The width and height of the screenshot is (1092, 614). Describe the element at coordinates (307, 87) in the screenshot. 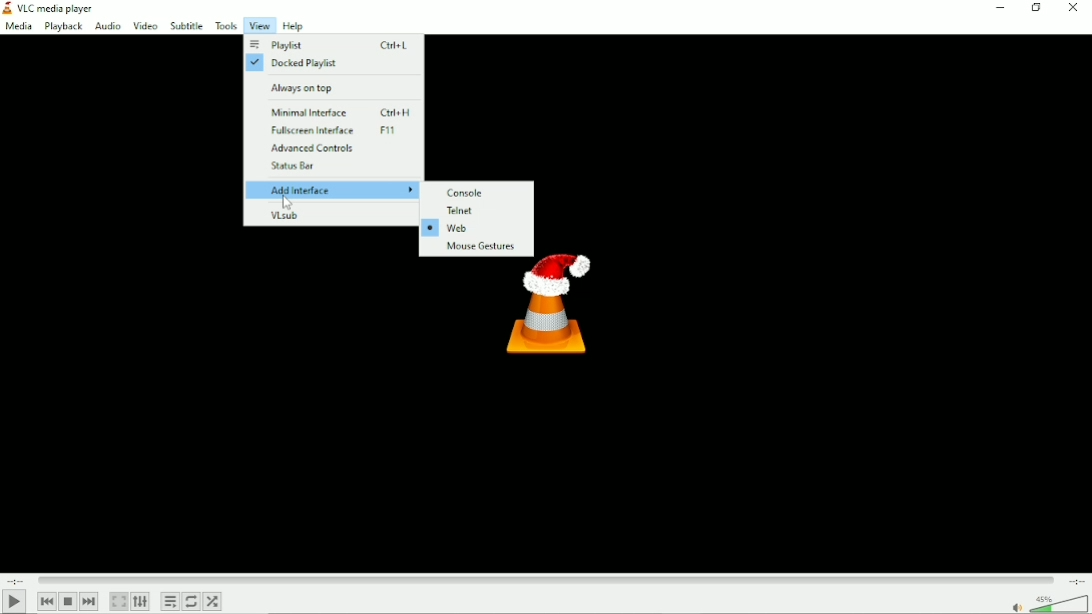

I see `Always on top` at that location.